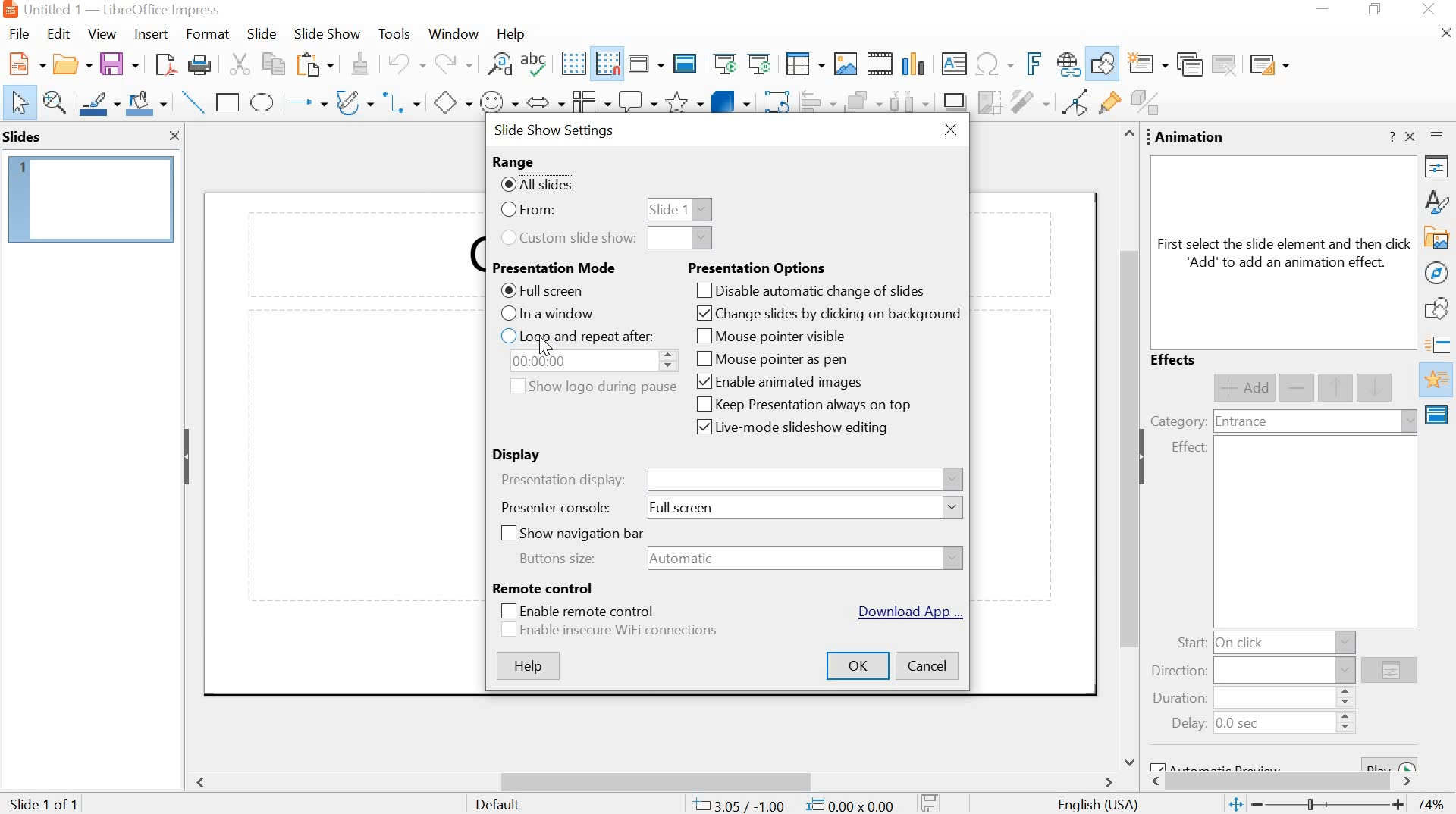 This screenshot has width=1456, height=814. I want to click on scroll bar, so click(657, 782).